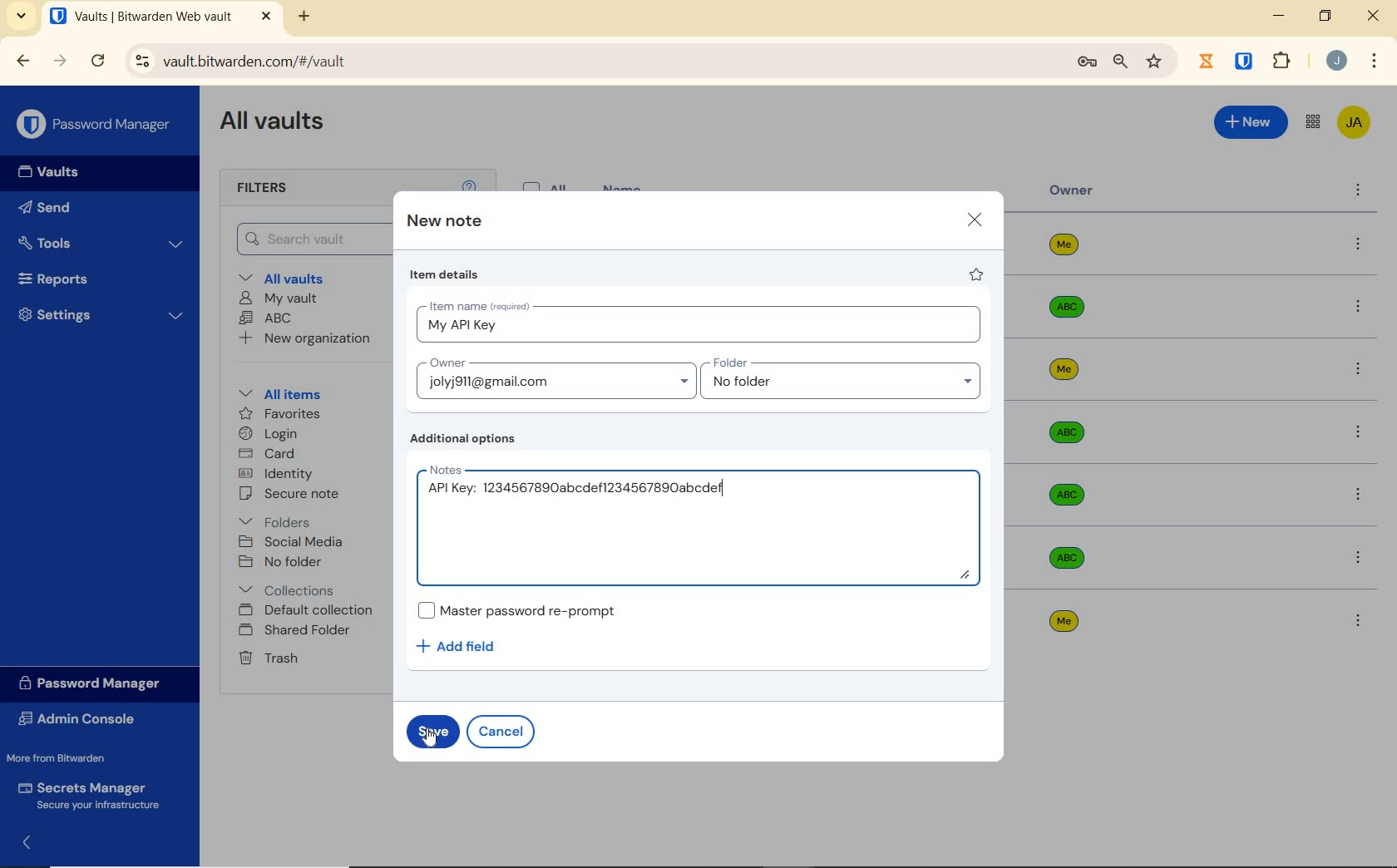 The height and width of the screenshot is (868, 1397). I want to click on Default collection, so click(310, 611).